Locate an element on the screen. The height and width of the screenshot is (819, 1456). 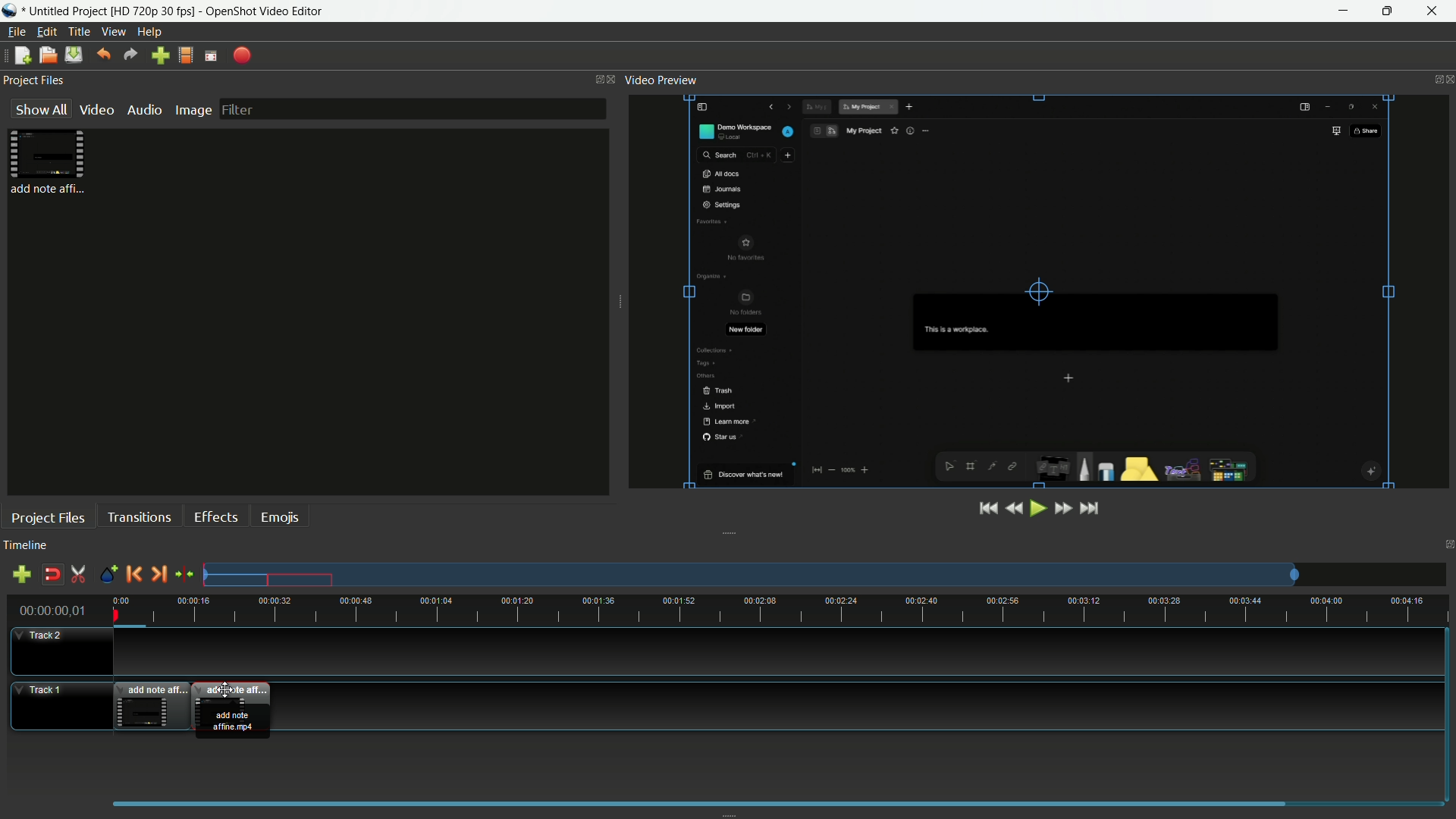
close app is located at coordinates (1434, 11).